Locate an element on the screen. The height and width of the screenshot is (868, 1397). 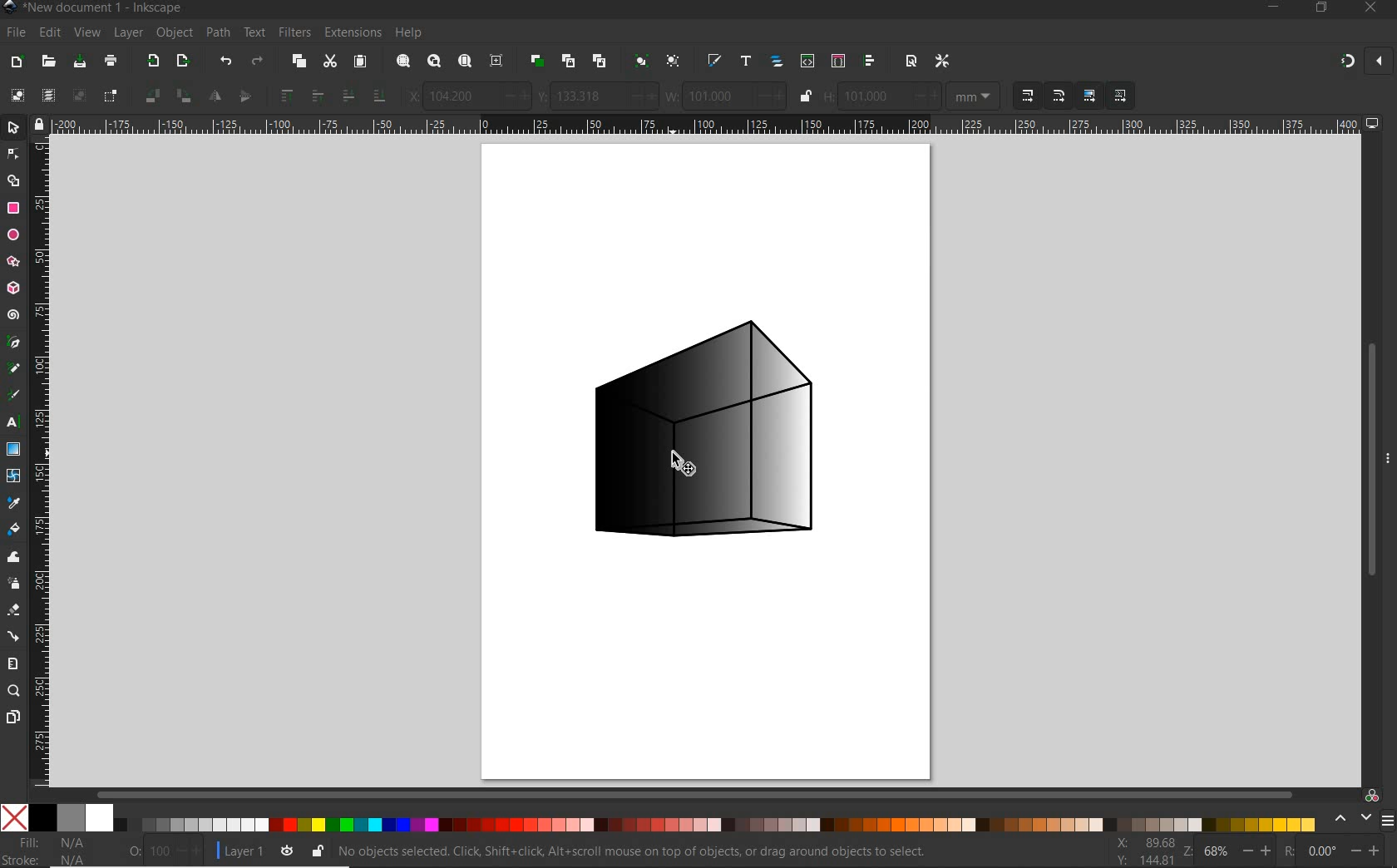
101 is located at coordinates (714, 96).